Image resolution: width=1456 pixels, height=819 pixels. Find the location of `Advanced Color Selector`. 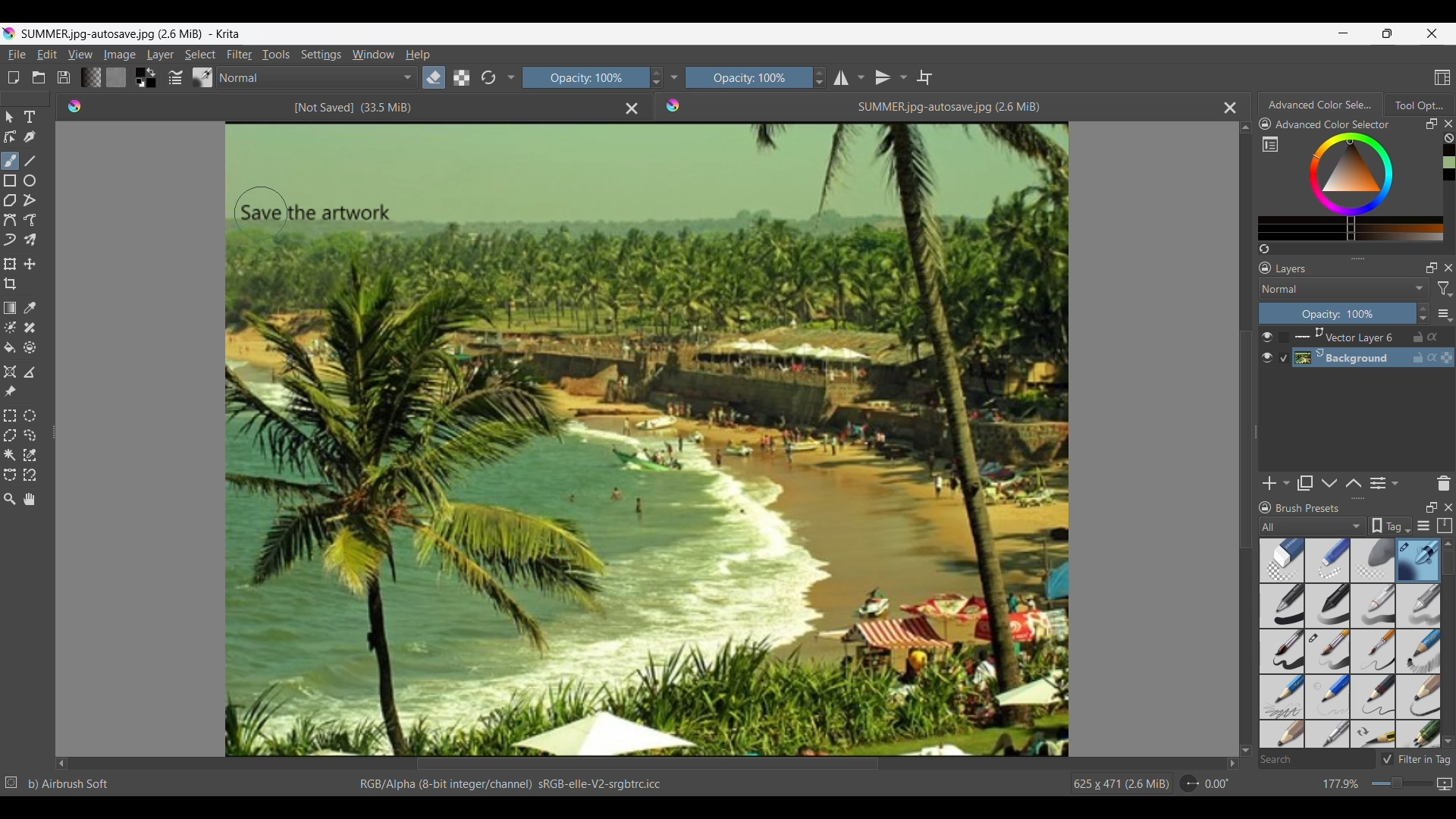

Advanced Color Selector is located at coordinates (1336, 125).